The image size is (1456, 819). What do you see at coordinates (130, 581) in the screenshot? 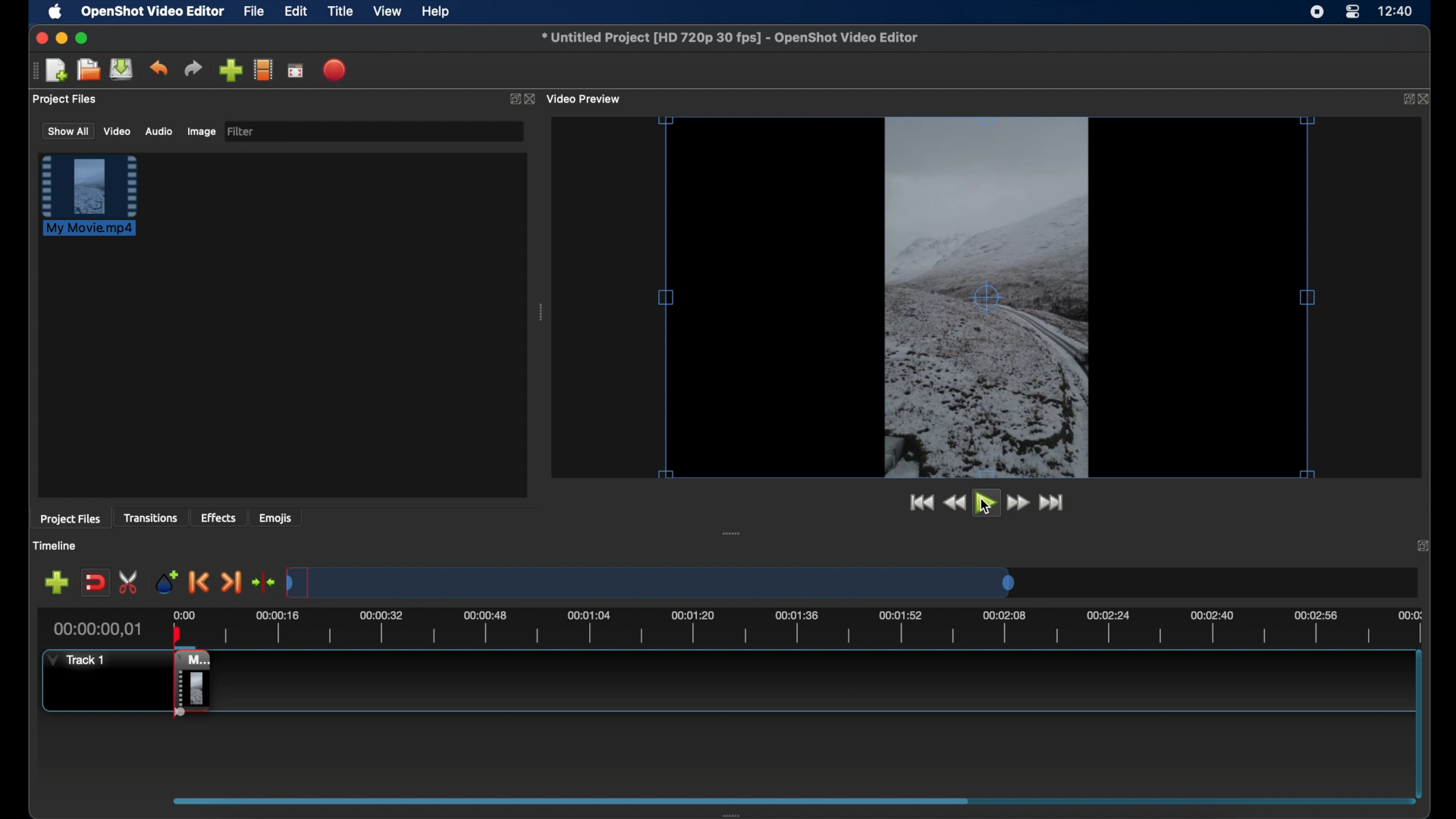
I see `enable razor` at bounding box center [130, 581].